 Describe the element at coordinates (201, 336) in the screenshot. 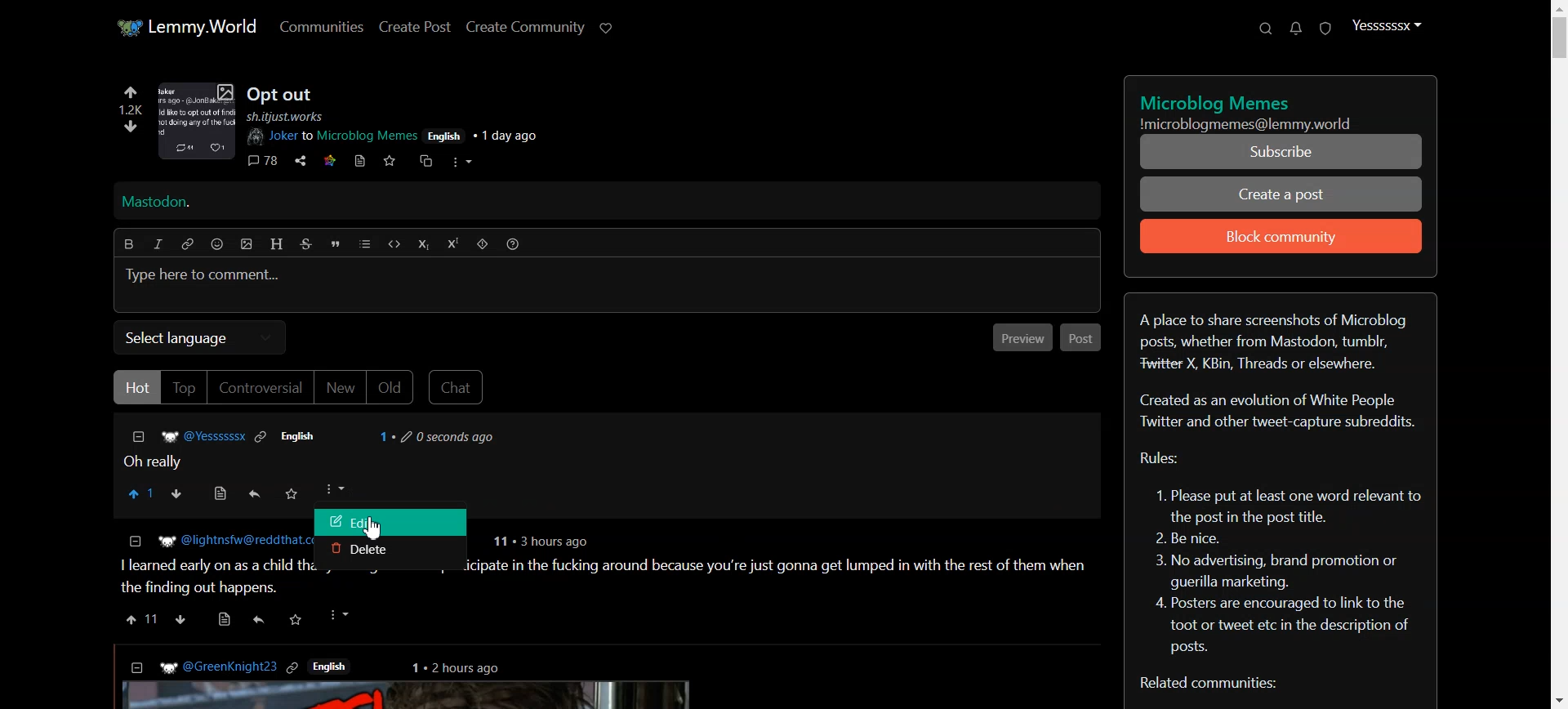

I see `Select language` at that location.